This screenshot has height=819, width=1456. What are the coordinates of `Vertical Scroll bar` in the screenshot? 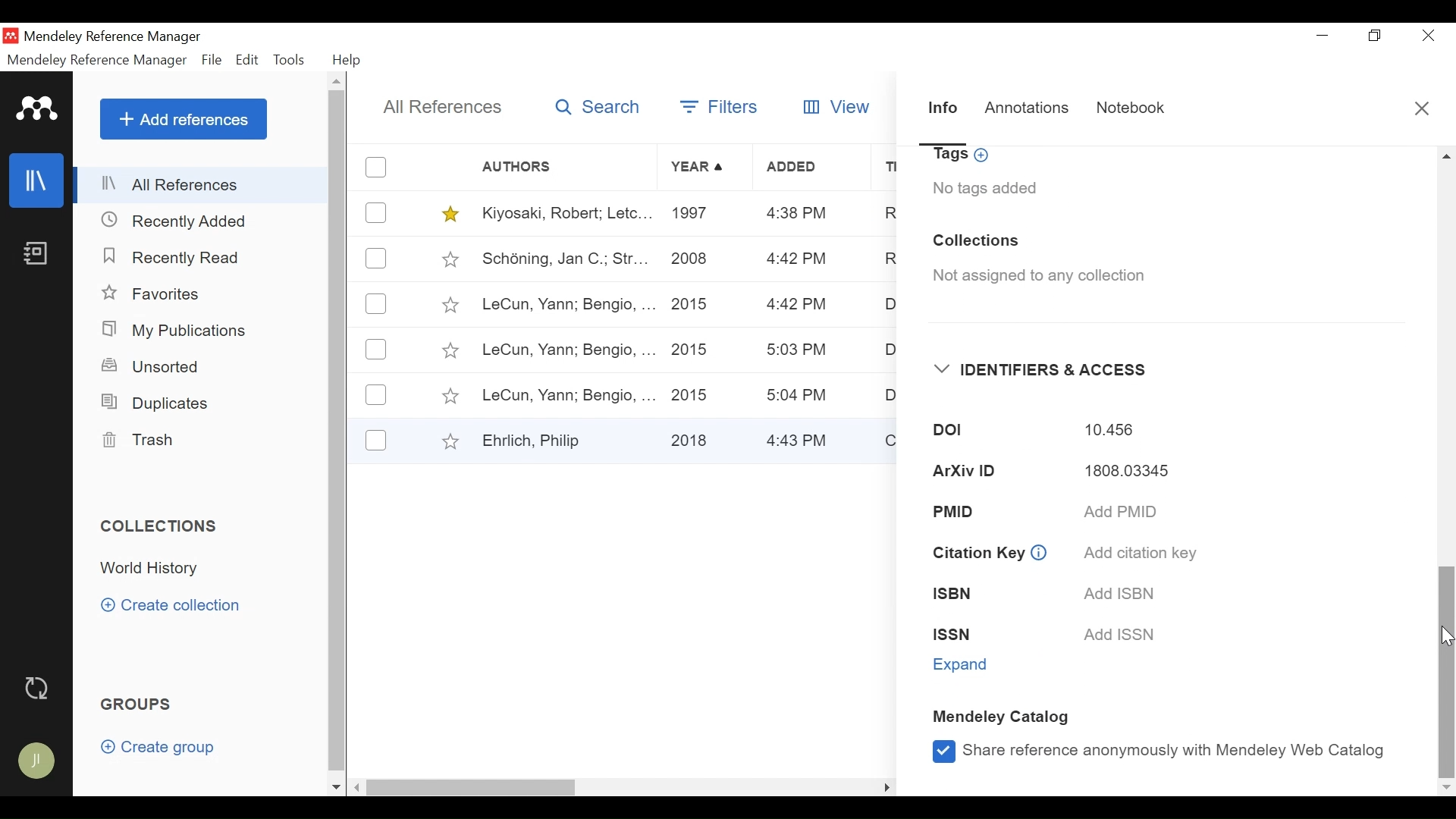 It's located at (1447, 670).